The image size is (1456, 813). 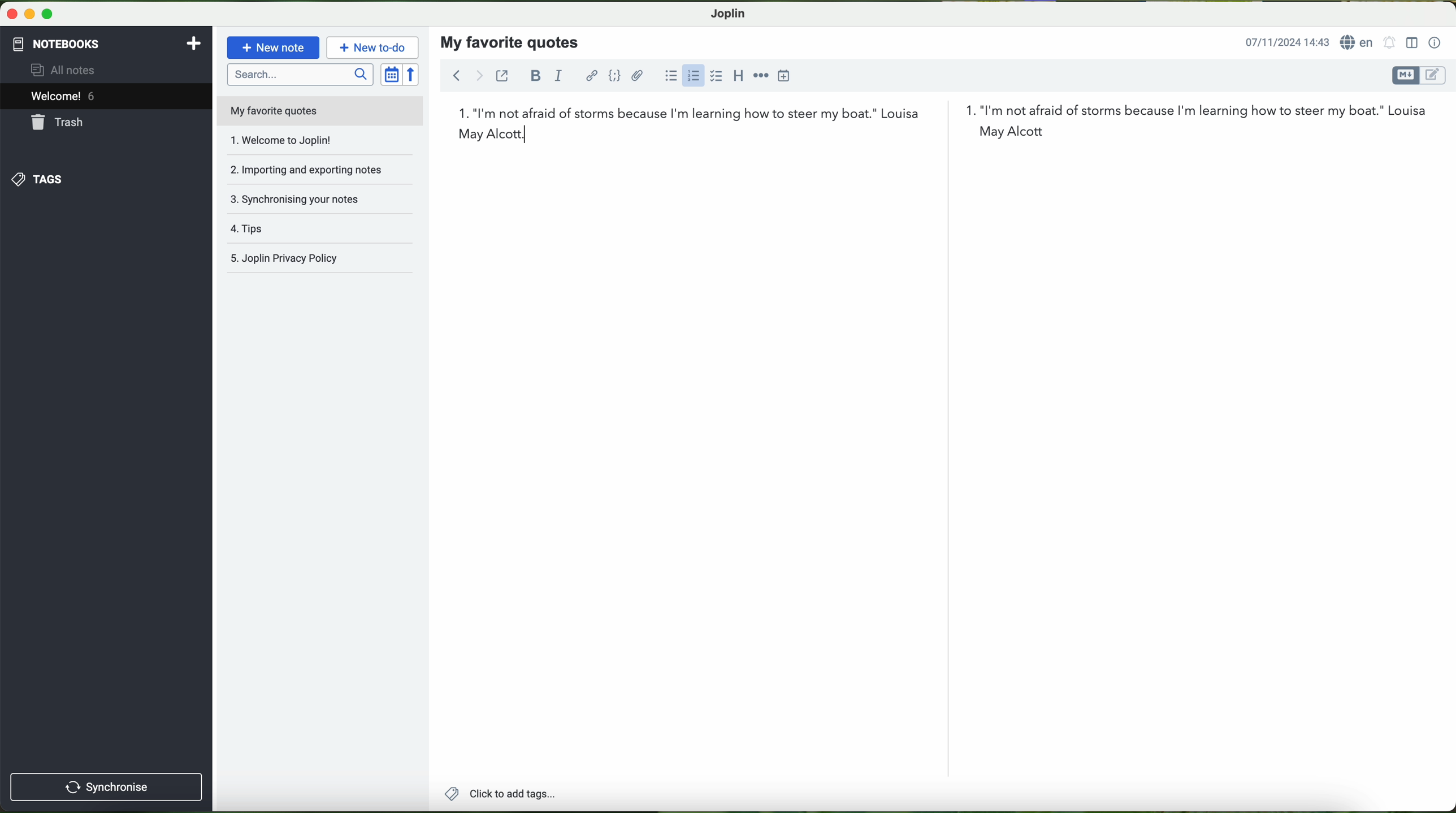 I want to click on synchronising your notes, so click(x=318, y=198).